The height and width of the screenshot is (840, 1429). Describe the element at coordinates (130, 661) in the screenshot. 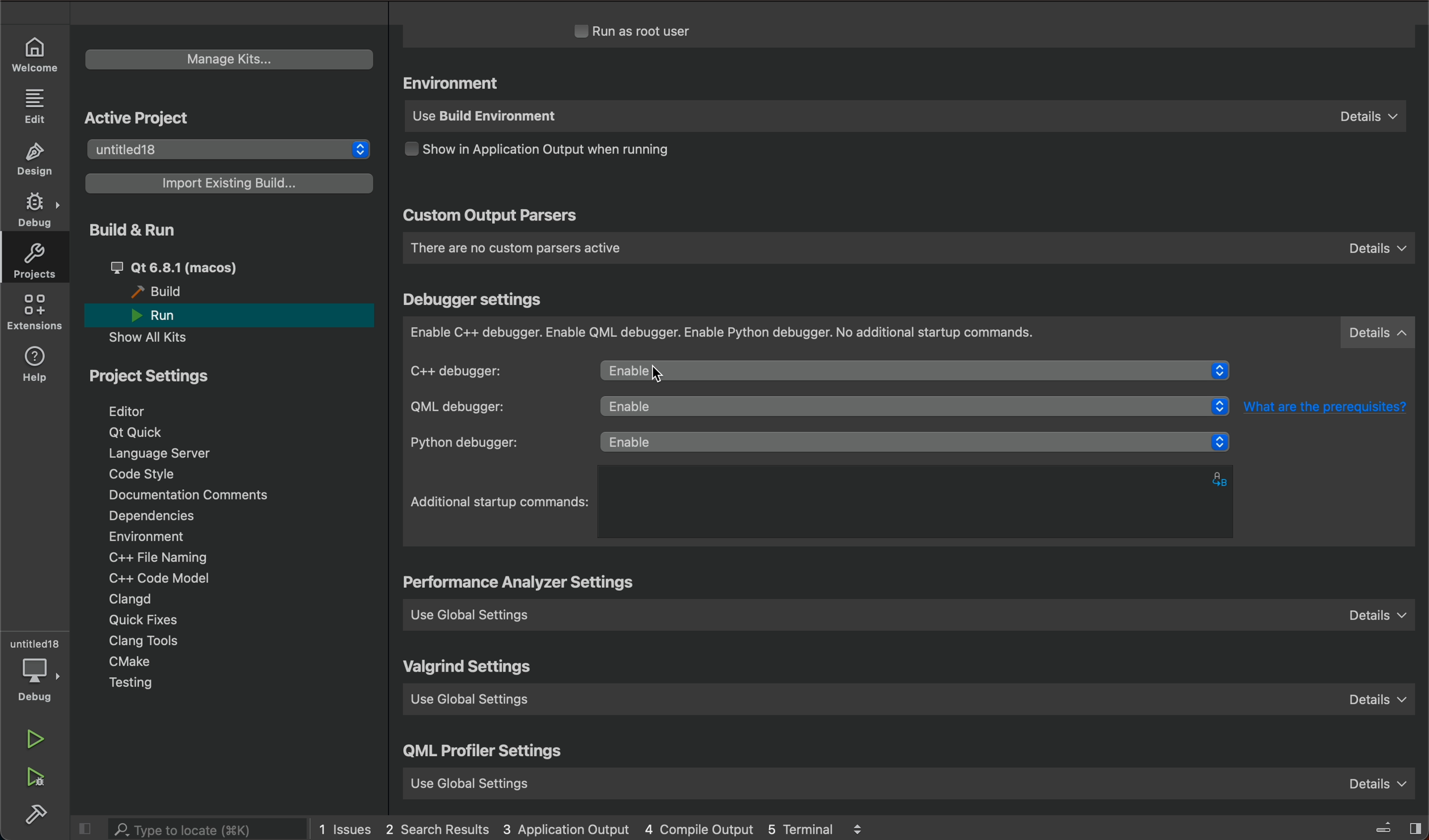

I see `cmake` at that location.